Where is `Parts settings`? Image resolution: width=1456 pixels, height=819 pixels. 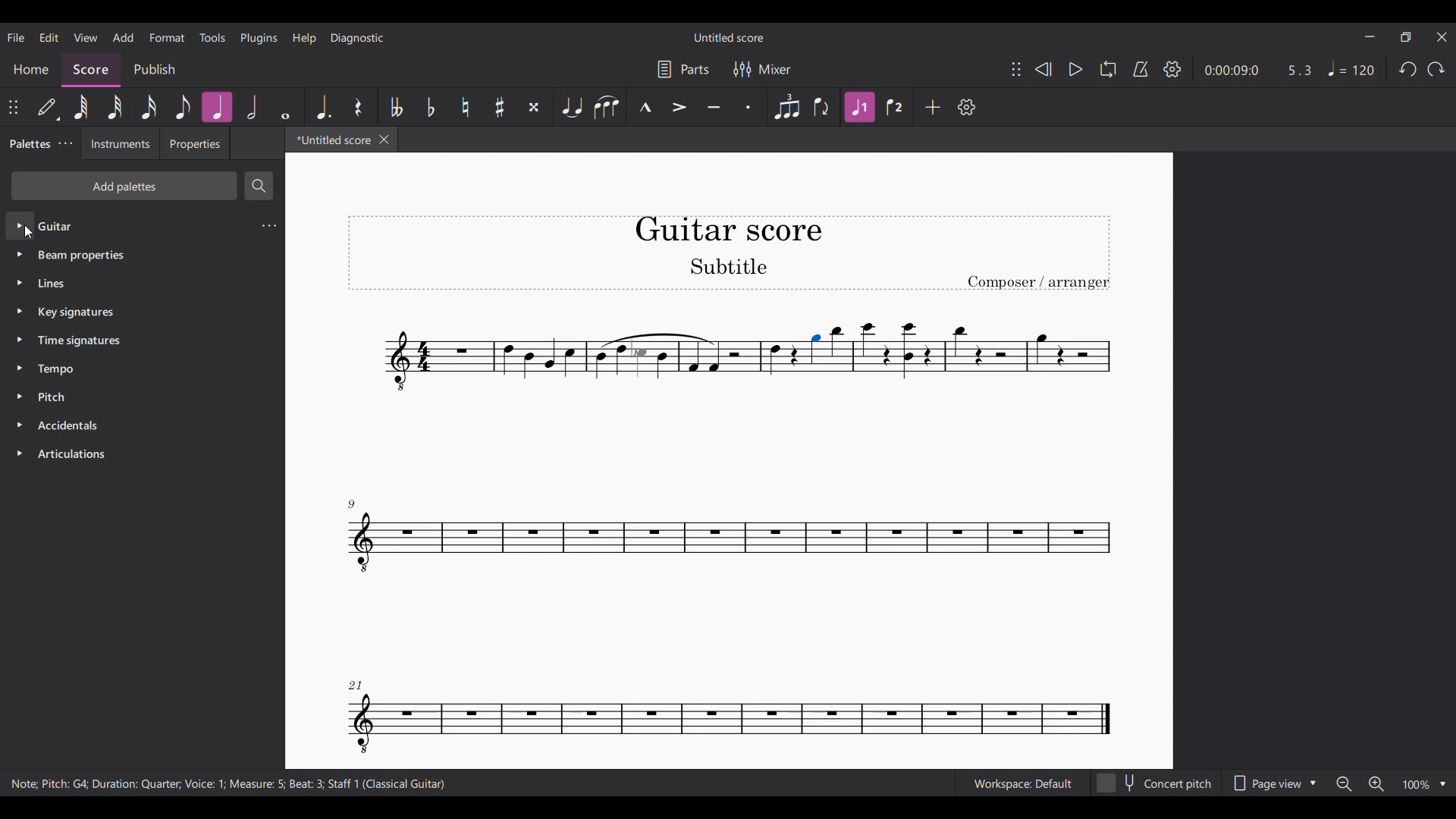 Parts settings is located at coordinates (683, 69).